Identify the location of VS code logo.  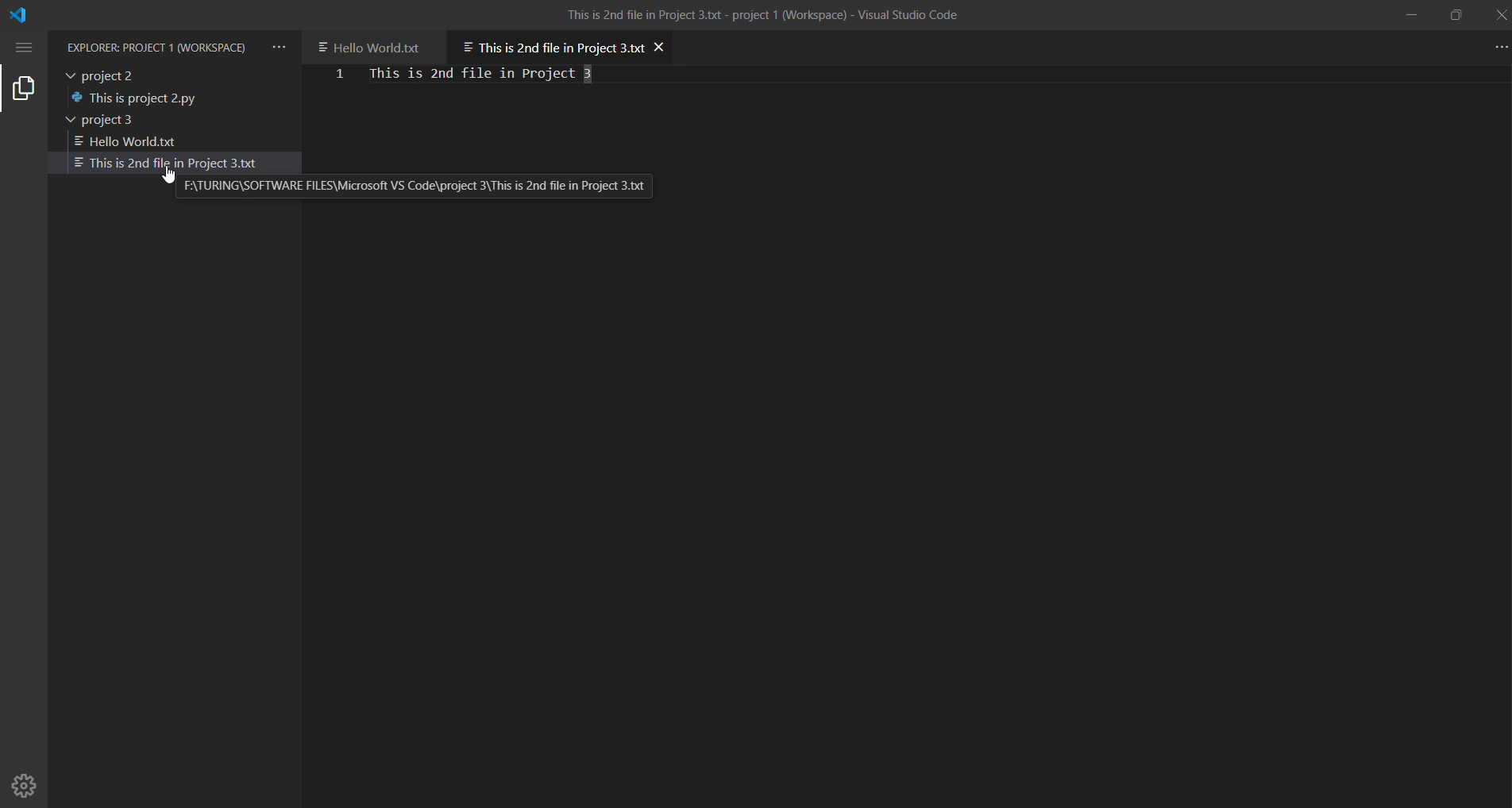
(22, 17).